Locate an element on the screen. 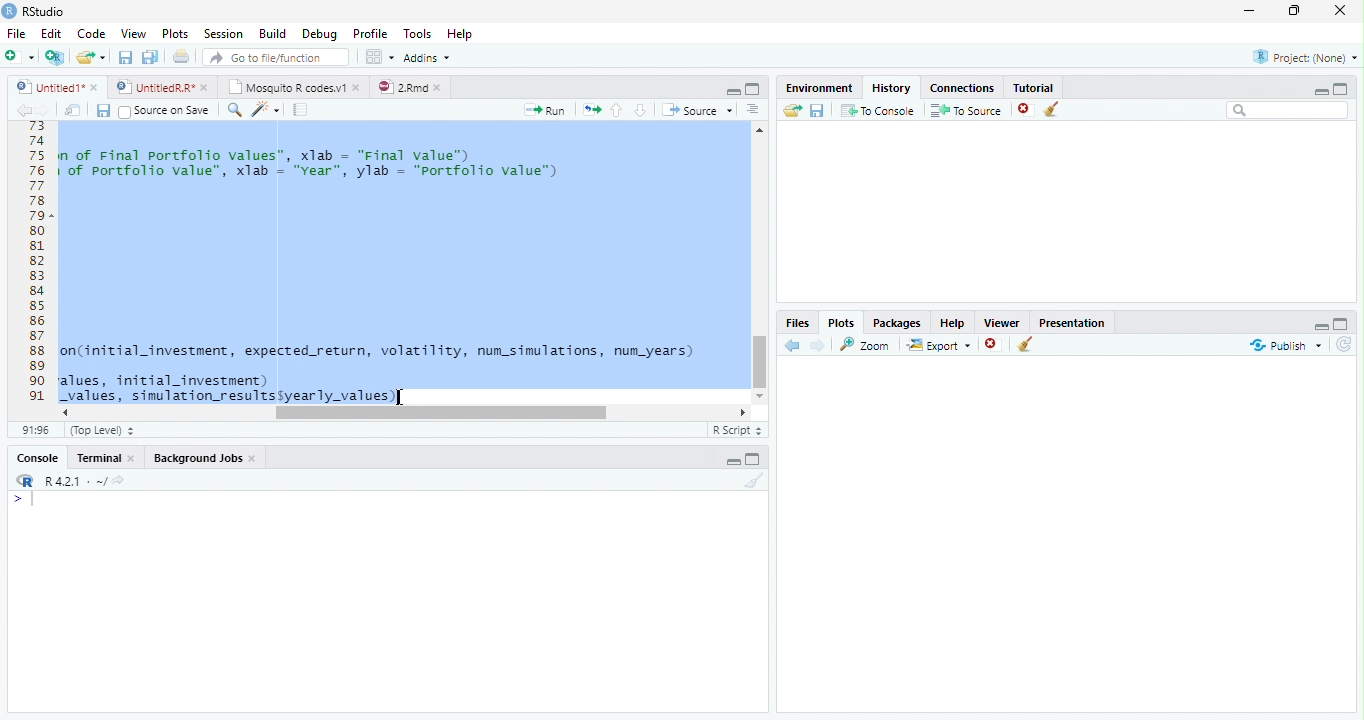 The height and width of the screenshot is (720, 1364). Code is located at coordinates (402, 264).